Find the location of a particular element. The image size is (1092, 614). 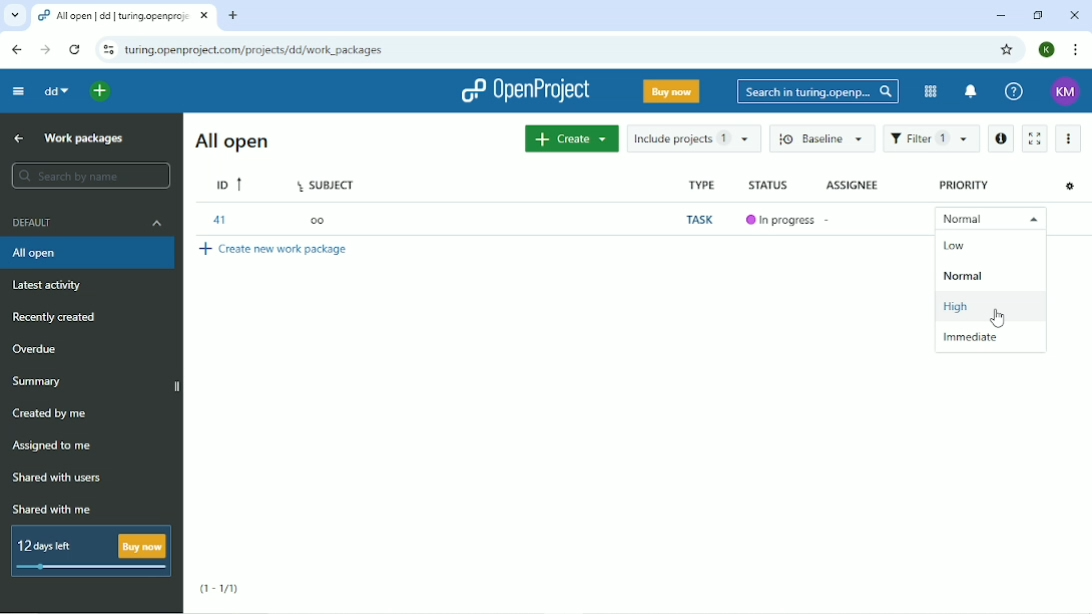

Normal is located at coordinates (965, 275).